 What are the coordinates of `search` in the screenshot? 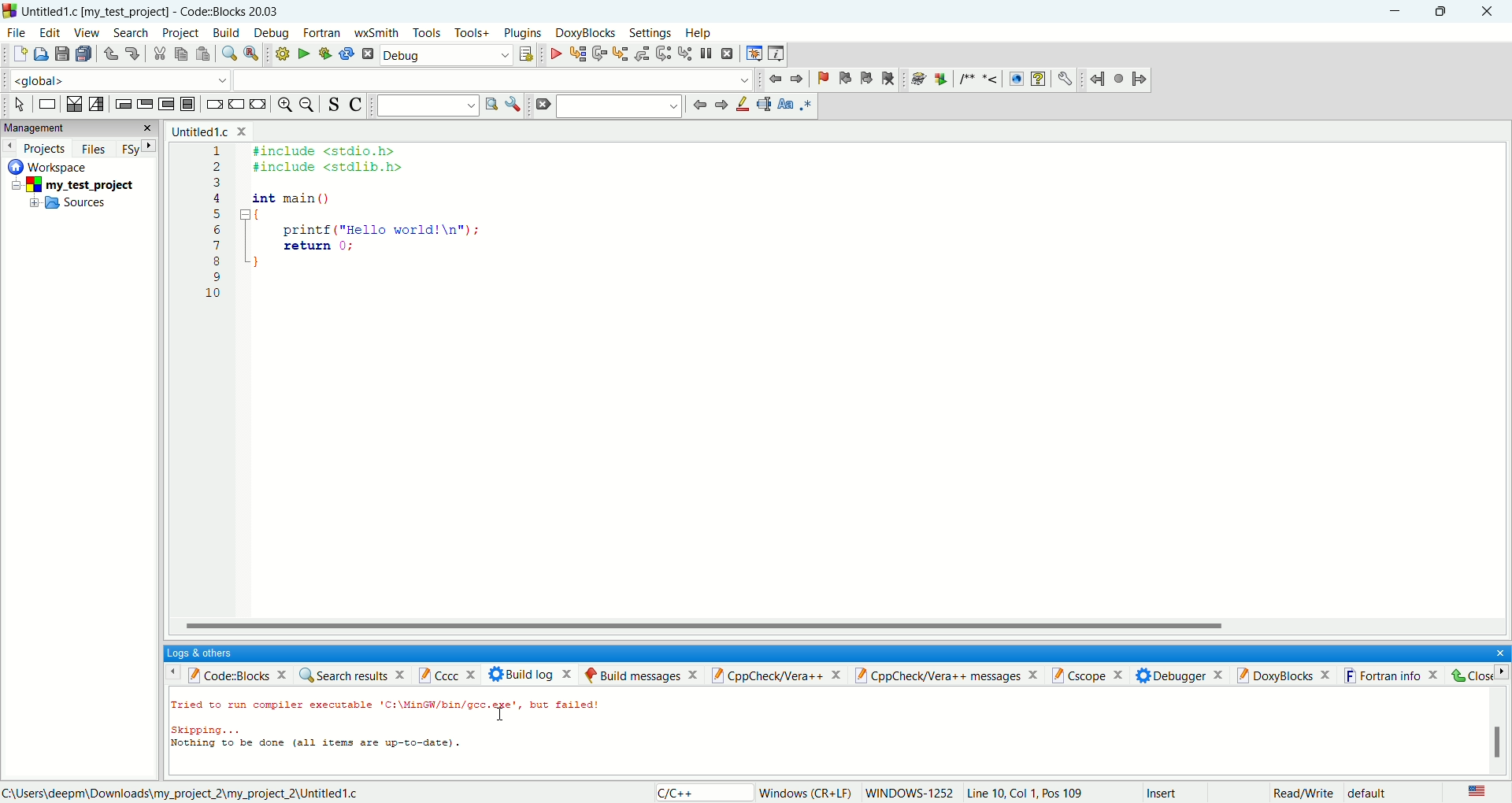 It's located at (129, 34).